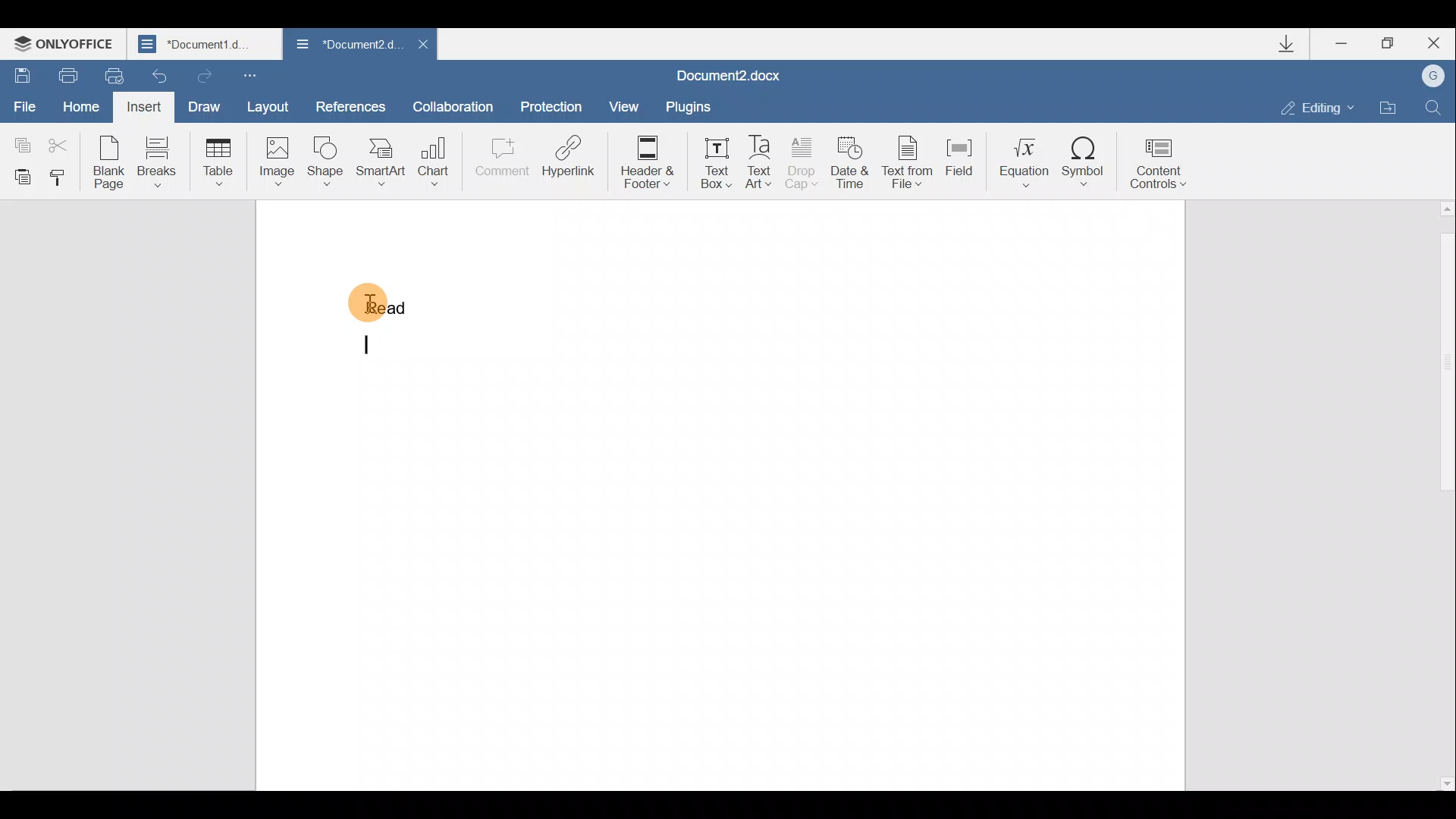  Describe the element at coordinates (62, 178) in the screenshot. I see `Copy style` at that location.